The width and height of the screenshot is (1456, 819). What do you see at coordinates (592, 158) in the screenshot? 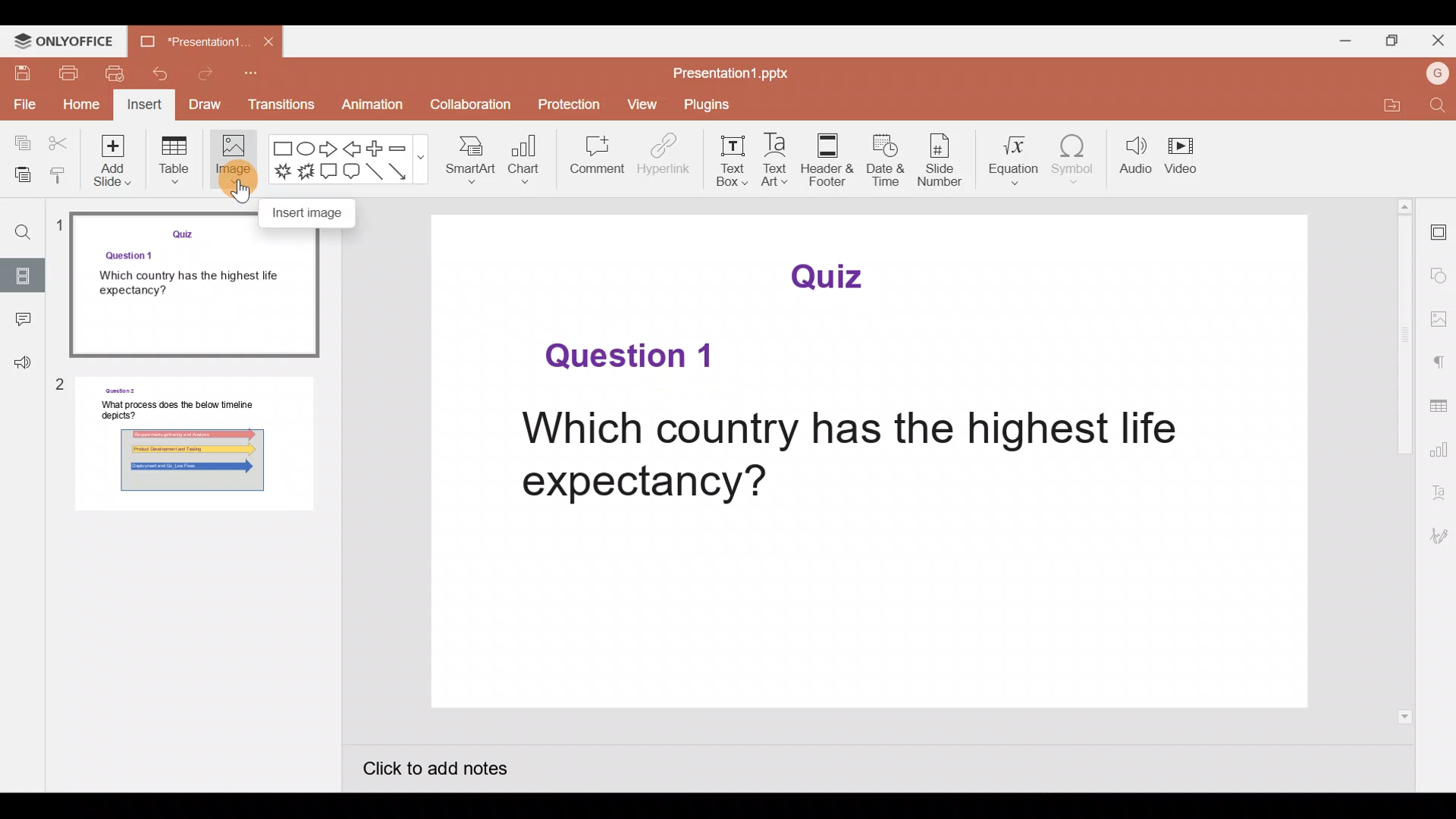
I see `Comment` at bounding box center [592, 158].